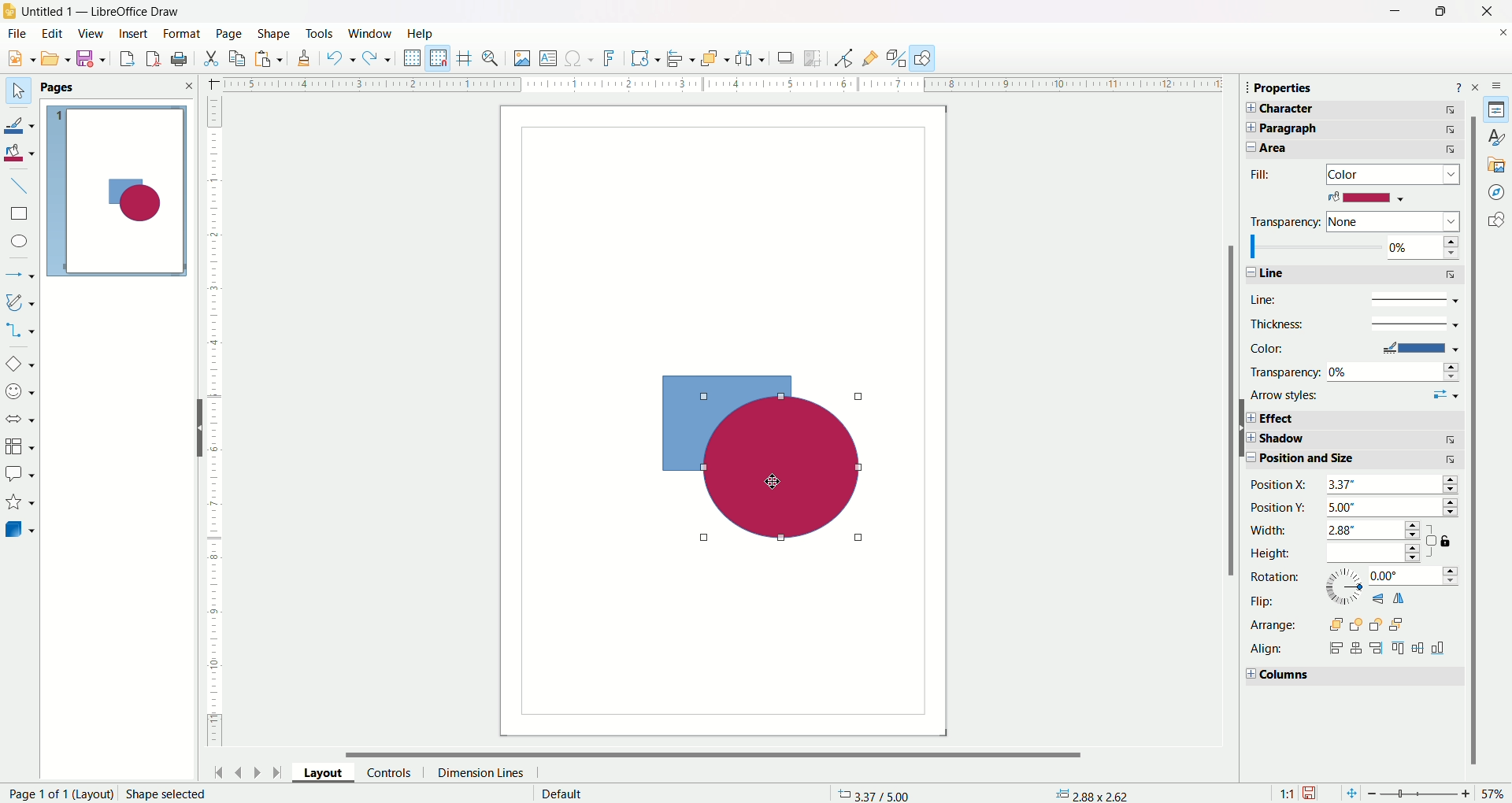 This screenshot has width=1512, height=803. Describe the element at coordinates (21, 531) in the screenshot. I see `3D objects` at that location.